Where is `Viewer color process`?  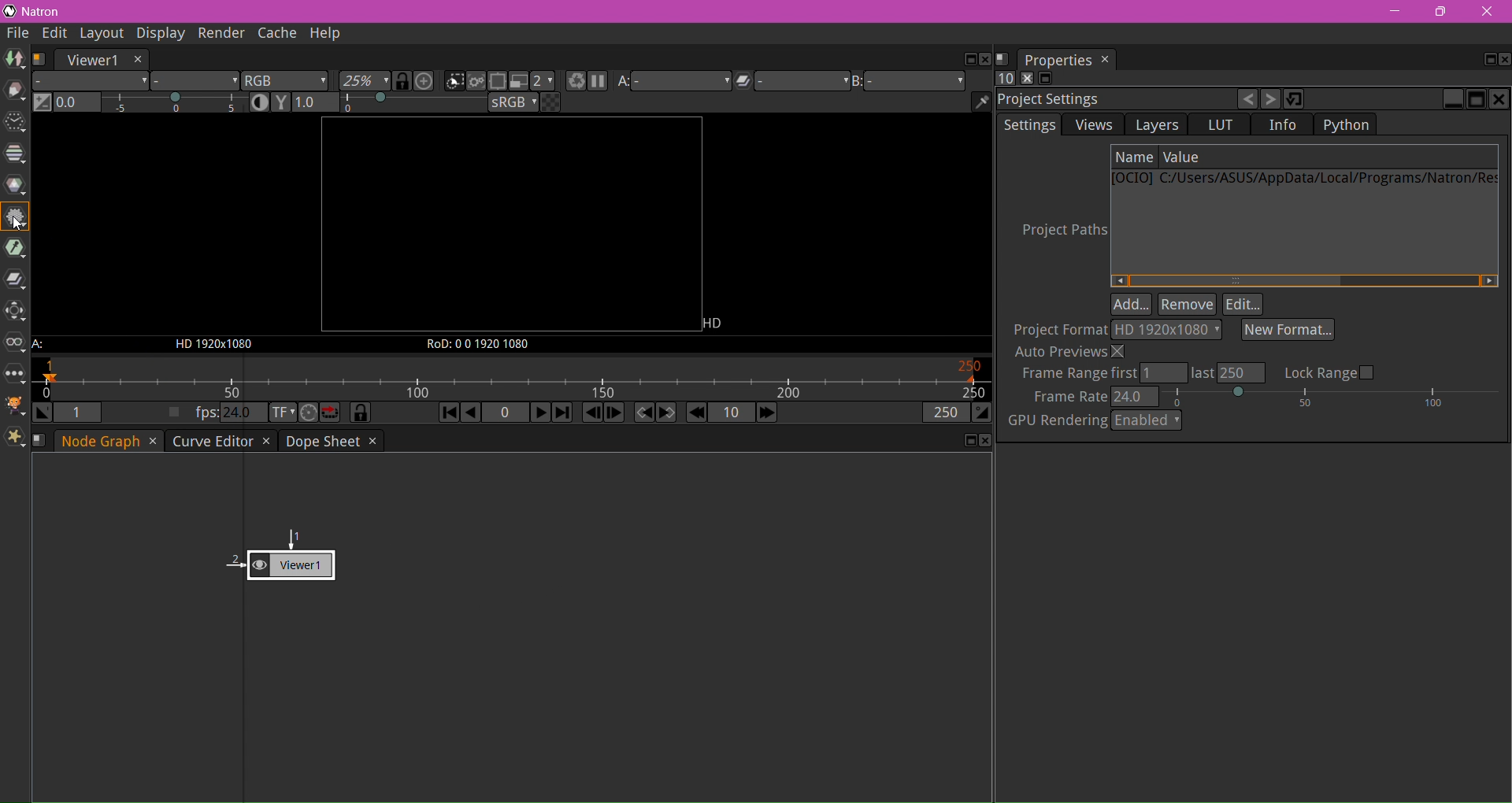 Viewer color process is located at coordinates (514, 104).